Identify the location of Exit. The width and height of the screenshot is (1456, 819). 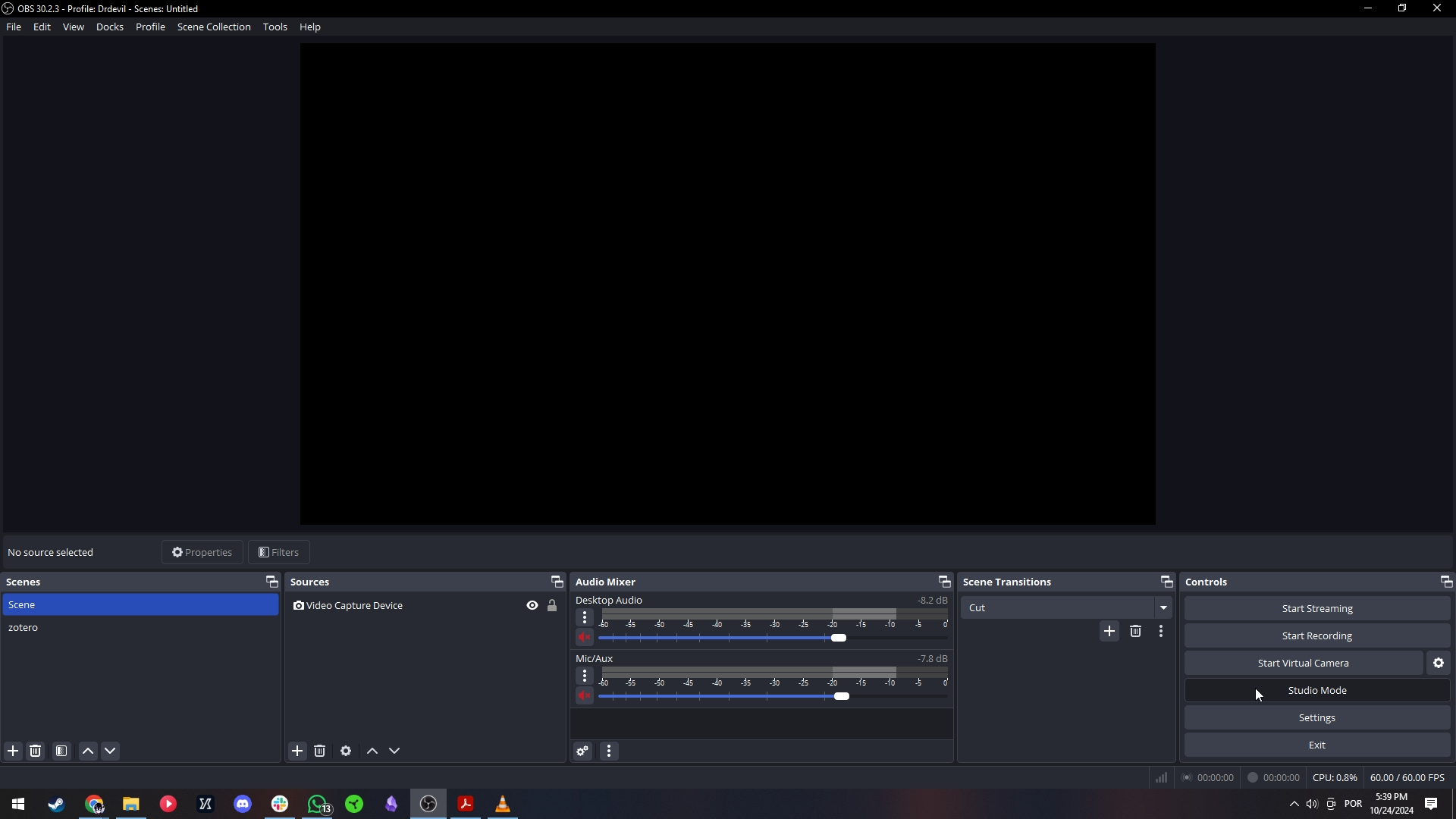
(1319, 745).